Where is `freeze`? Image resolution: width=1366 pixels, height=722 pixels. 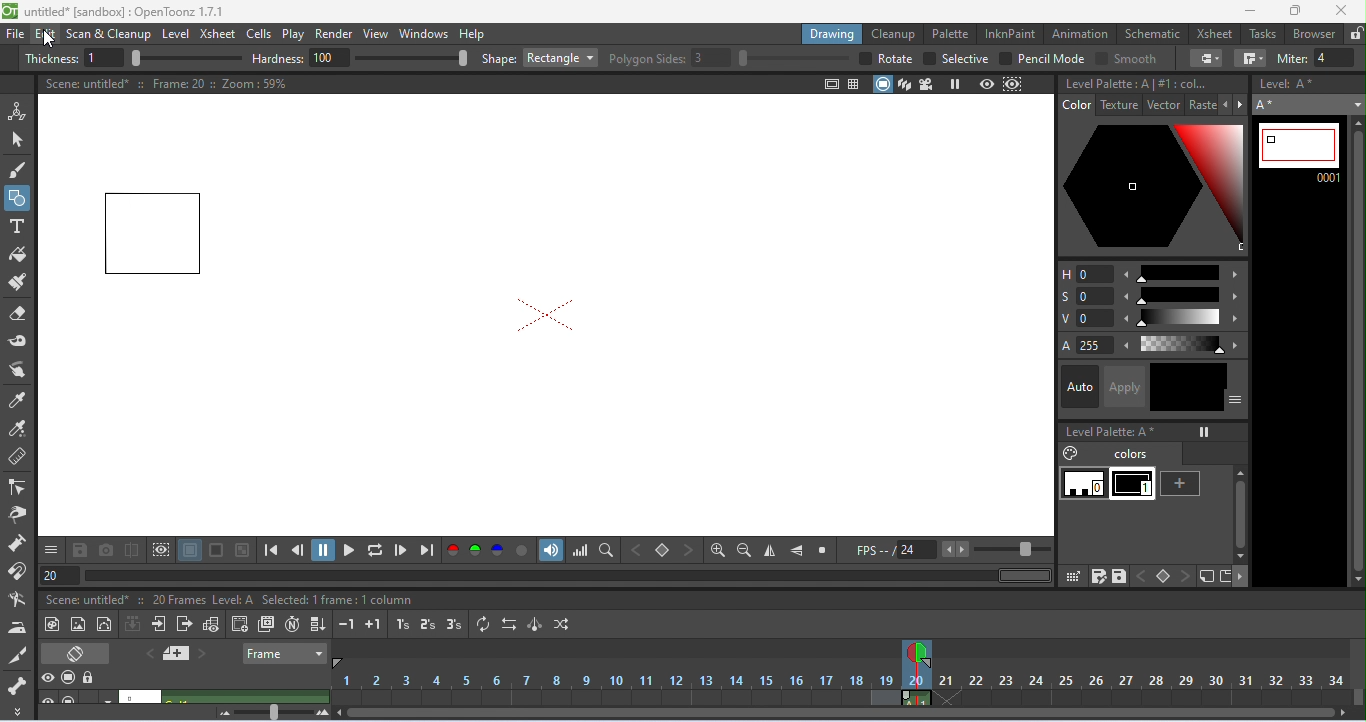 freeze is located at coordinates (954, 84).